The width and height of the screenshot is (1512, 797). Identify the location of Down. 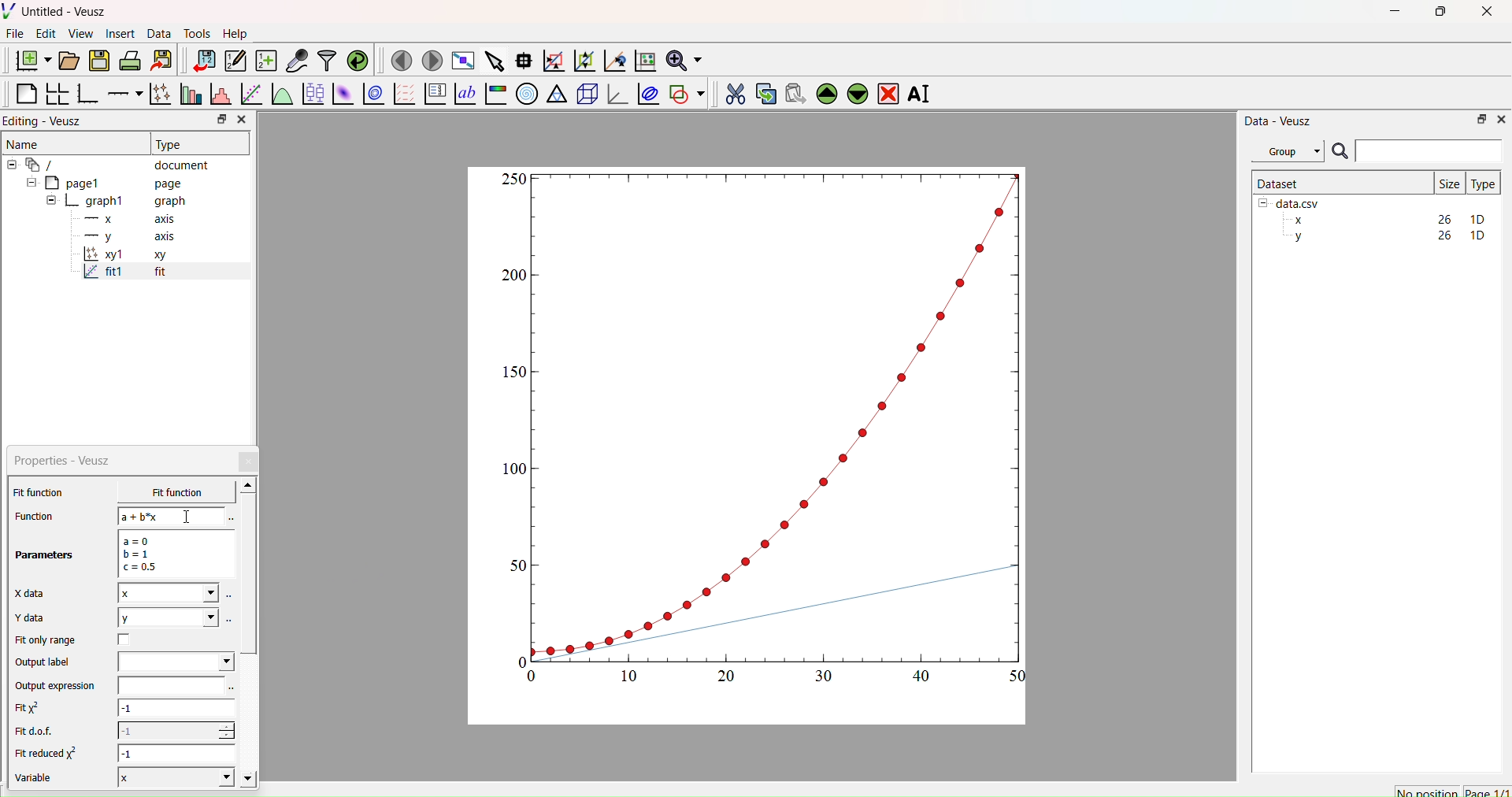
(857, 91).